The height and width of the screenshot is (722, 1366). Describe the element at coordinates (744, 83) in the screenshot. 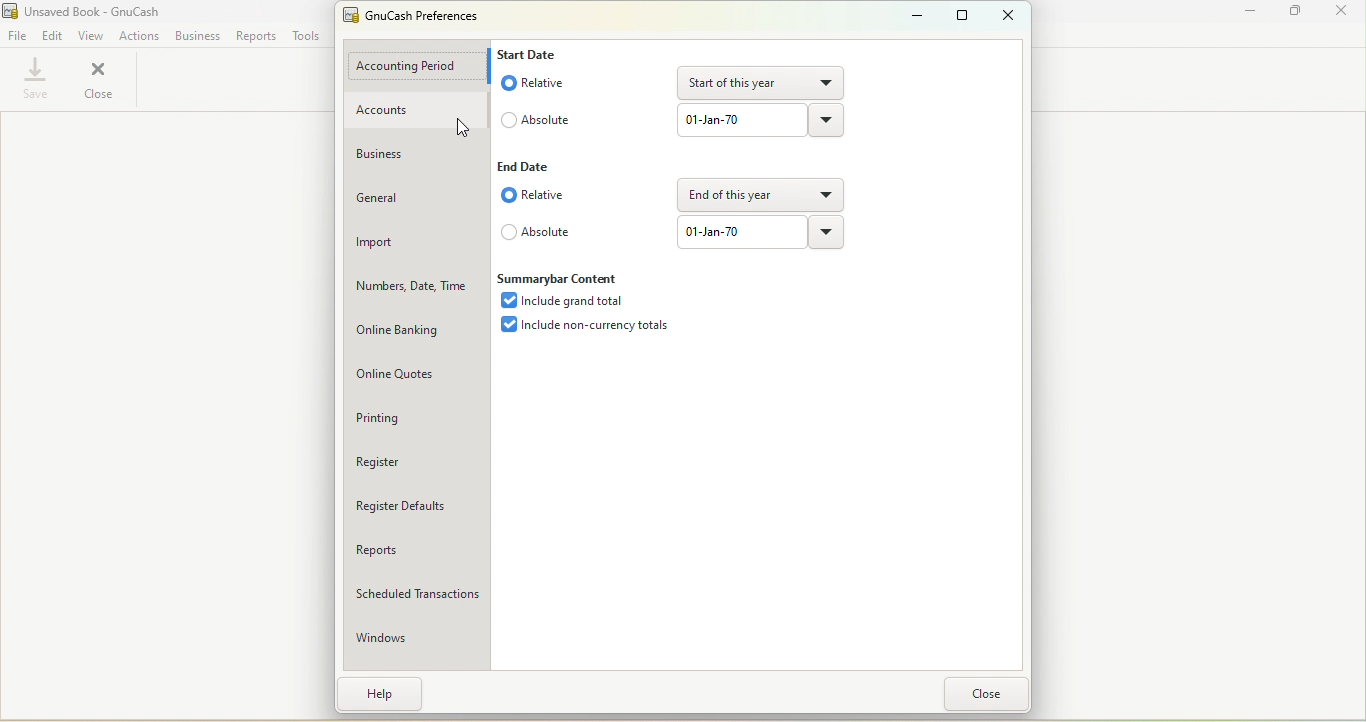

I see `start of this year` at that location.